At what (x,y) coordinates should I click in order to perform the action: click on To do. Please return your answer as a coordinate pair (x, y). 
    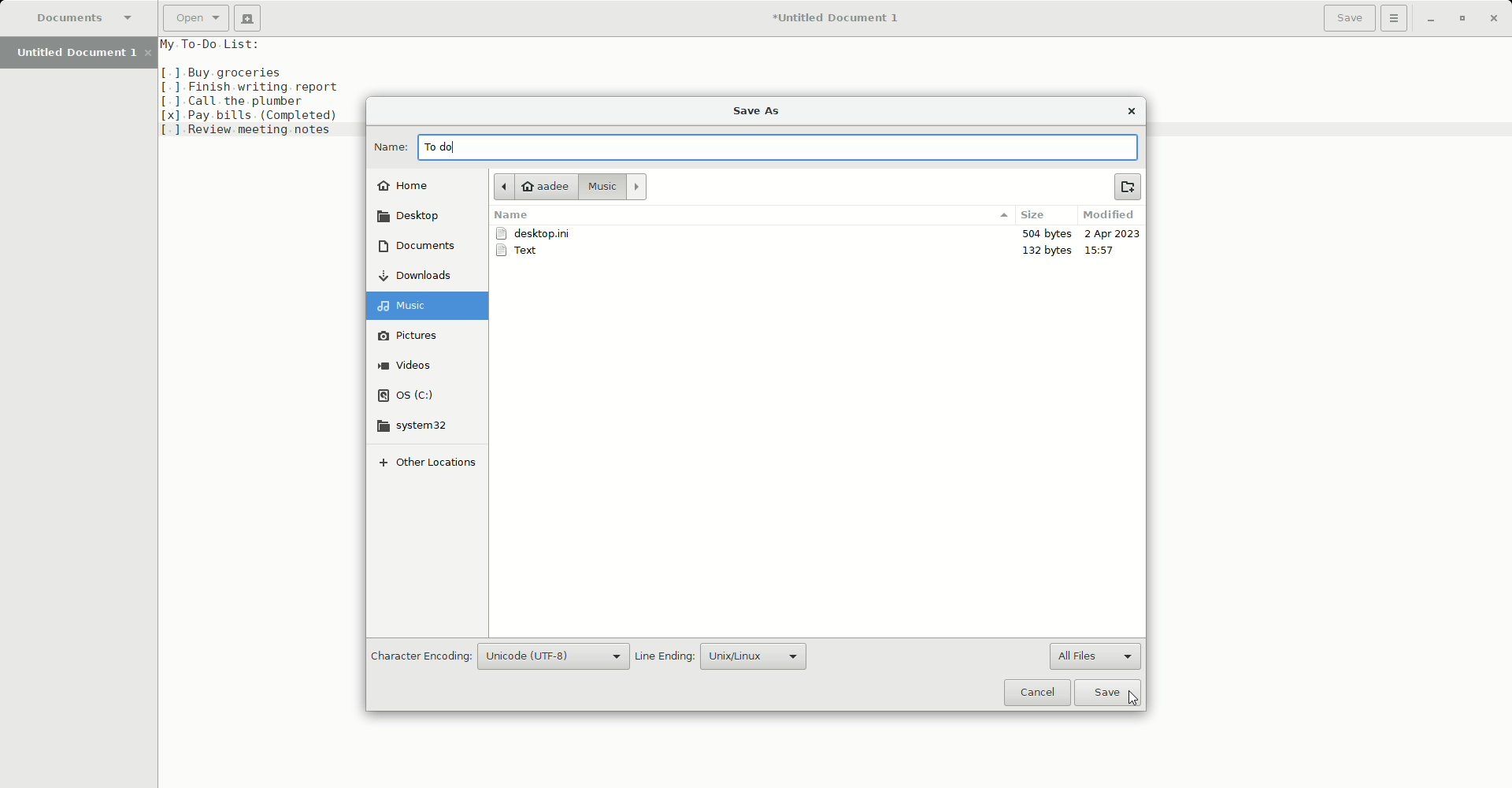
    Looking at the image, I should click on (438, 148).